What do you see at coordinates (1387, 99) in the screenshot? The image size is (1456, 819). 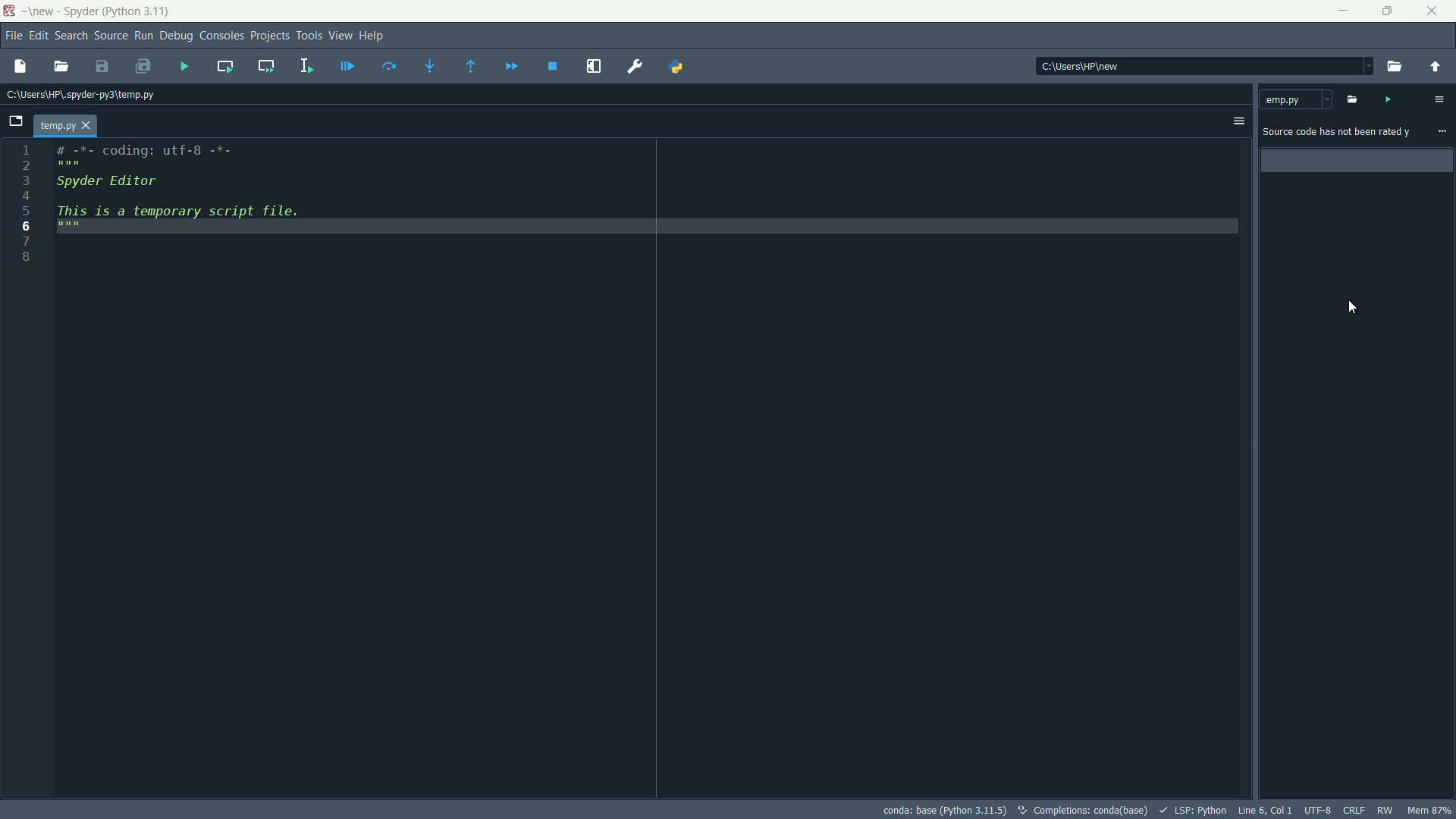 I see `run file` at bounding box center [1387, 99].